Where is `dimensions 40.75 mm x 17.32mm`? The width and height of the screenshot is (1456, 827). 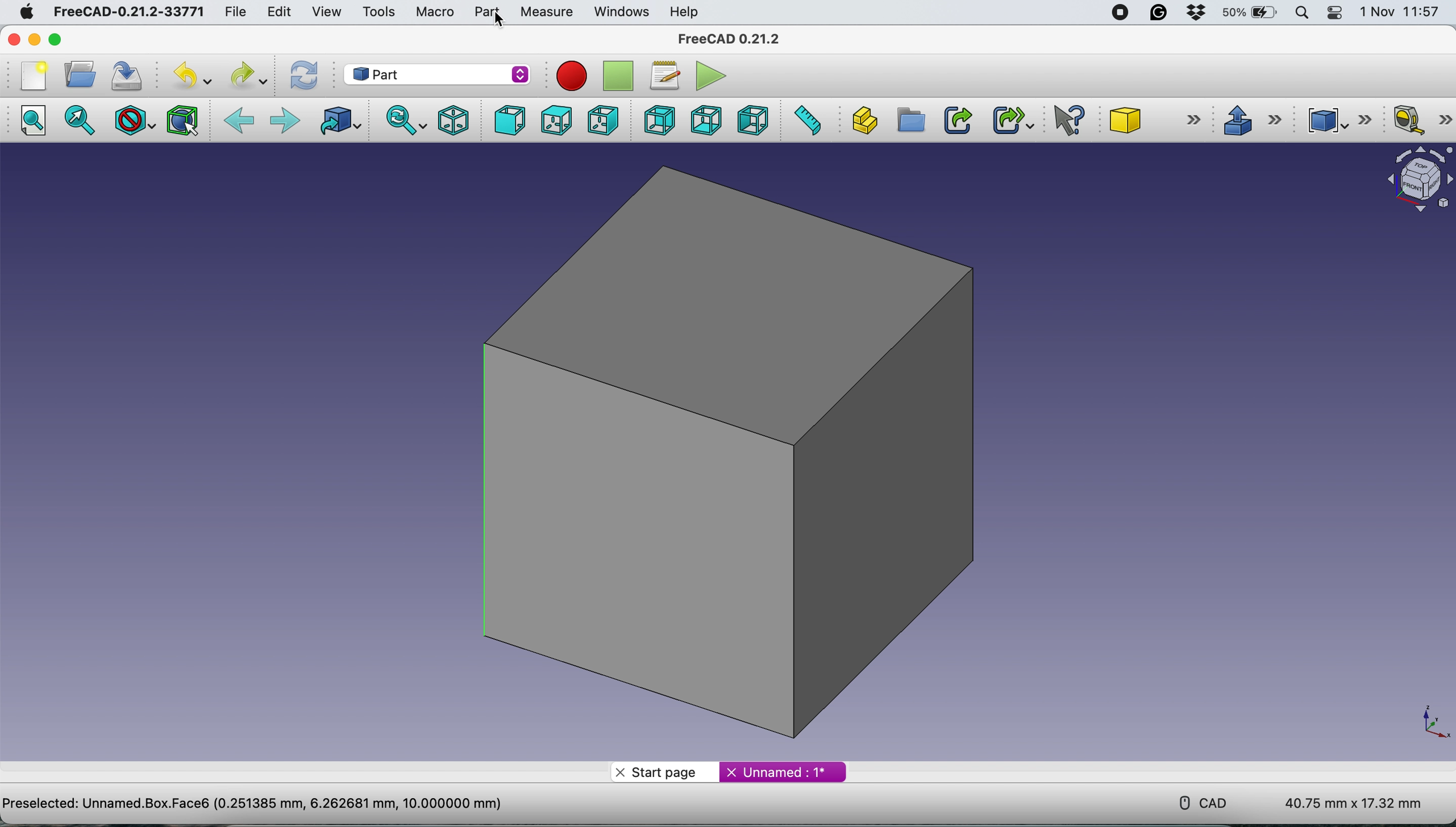 dimensions 40.75 mm x 17.32mm is located at coordinates (1356, 803).